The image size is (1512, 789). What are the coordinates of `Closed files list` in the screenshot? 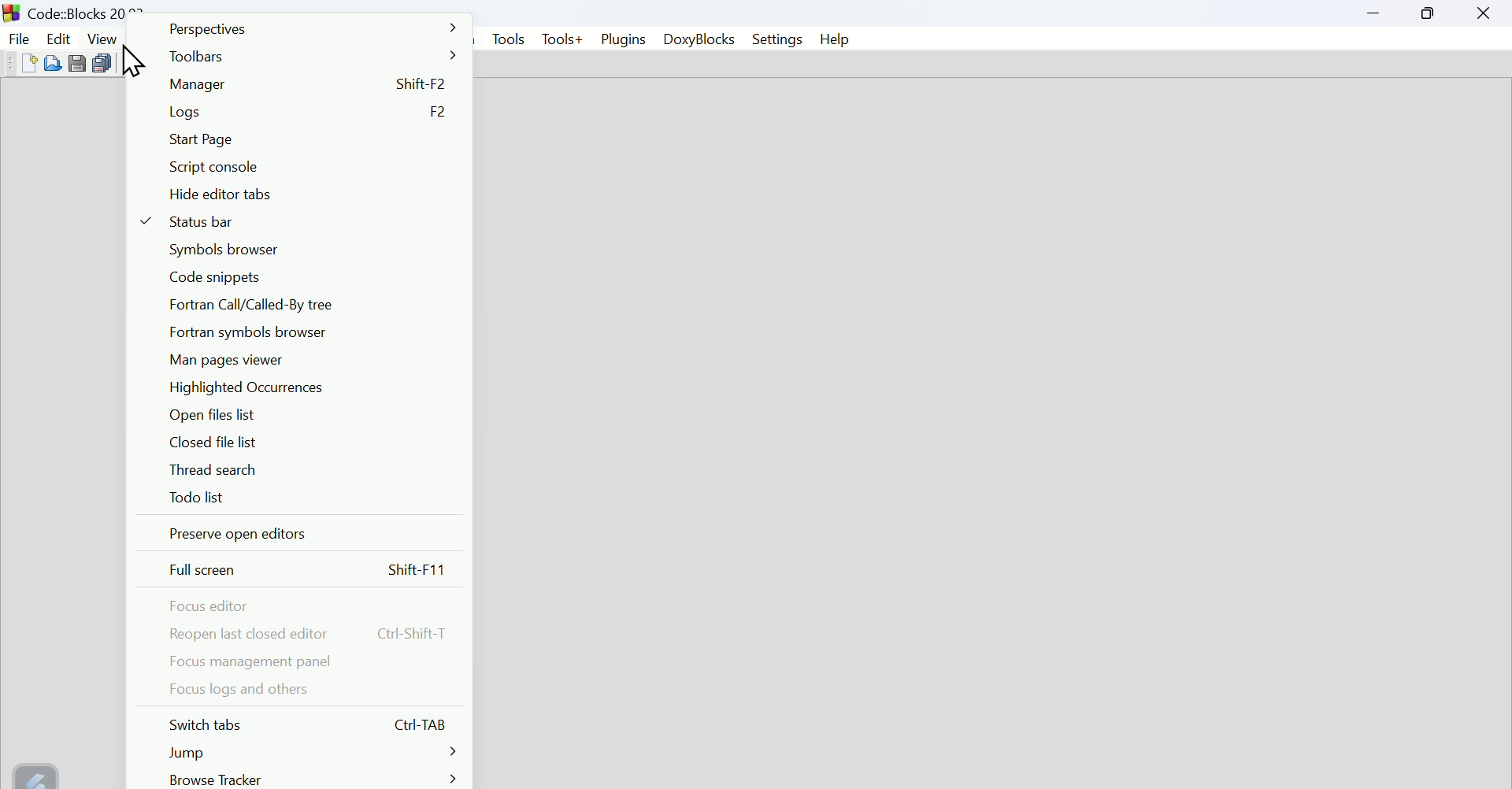 It's located at (217, 443).